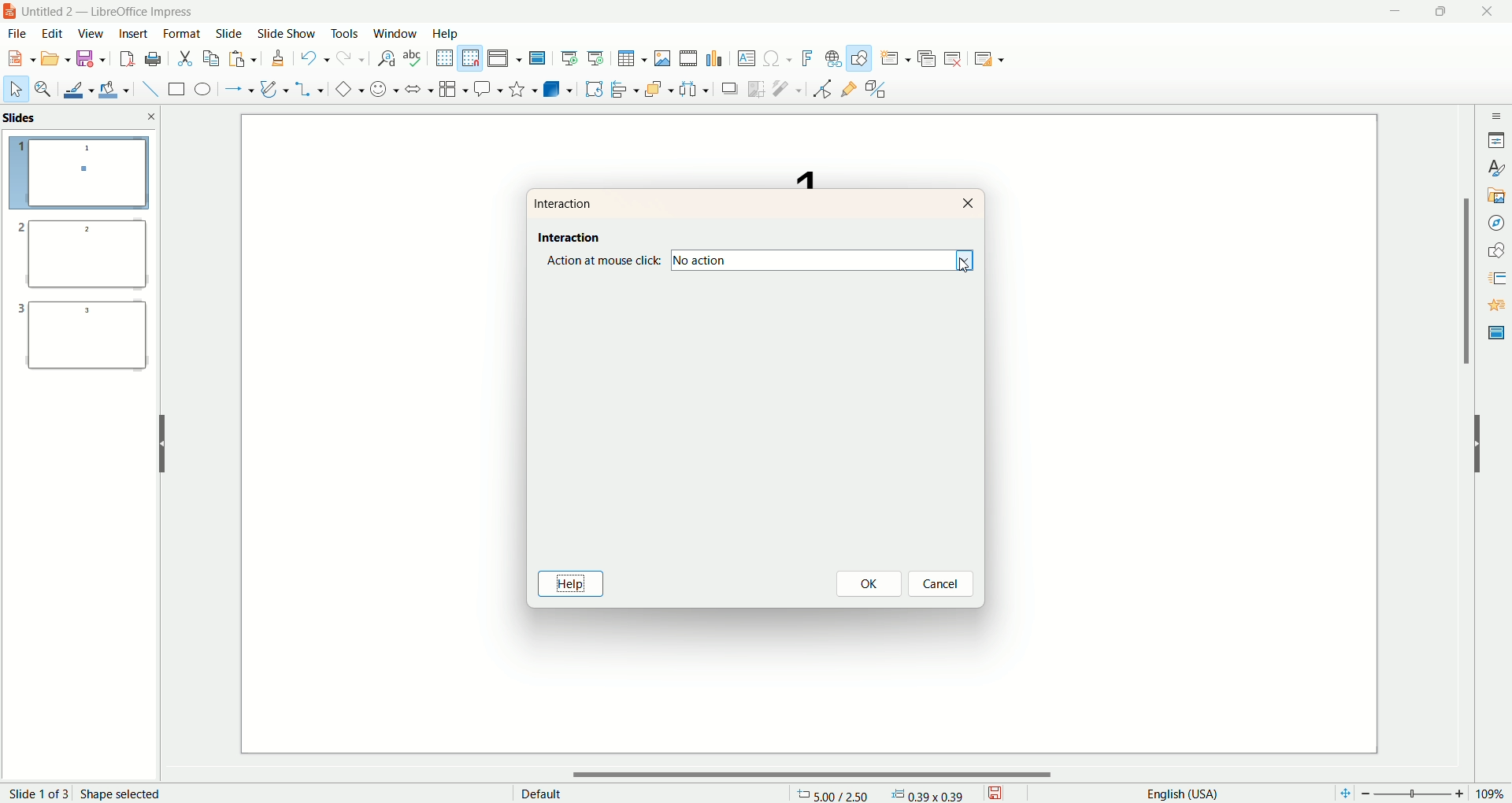  What do you see at coordinates (694, 87) in the screenshot?
I see `select at least three objects to distribute` at bounding box center [694, 87].